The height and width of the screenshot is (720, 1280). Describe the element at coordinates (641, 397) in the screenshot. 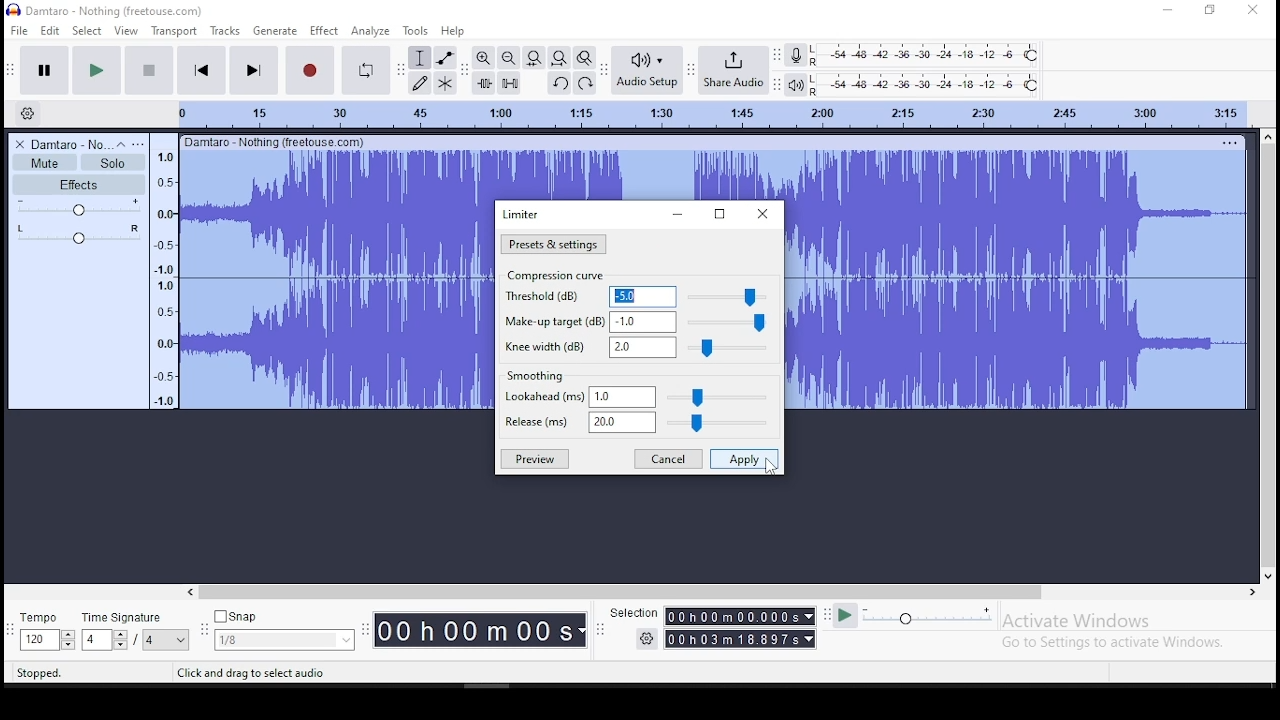

I see `lookahead` at that location.